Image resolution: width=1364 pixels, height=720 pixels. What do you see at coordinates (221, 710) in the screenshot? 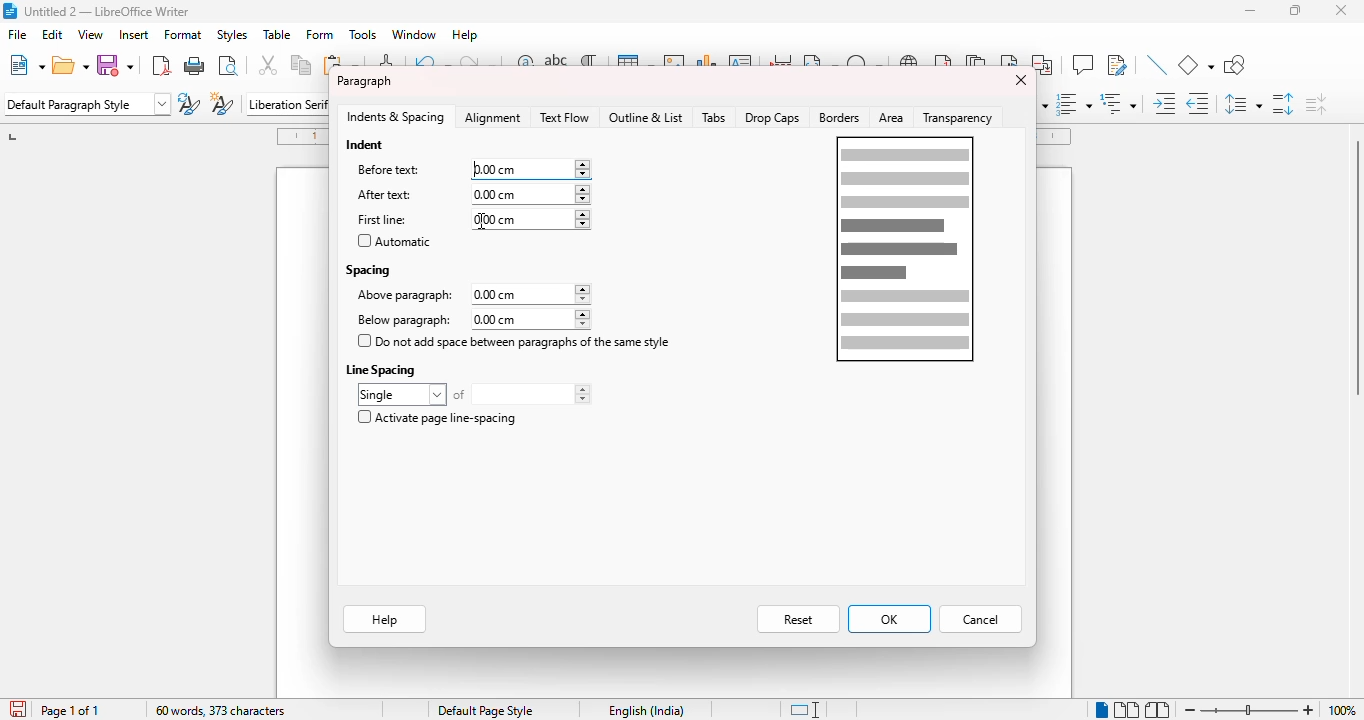
I see `word and character count` at bounding box center [221, 710].